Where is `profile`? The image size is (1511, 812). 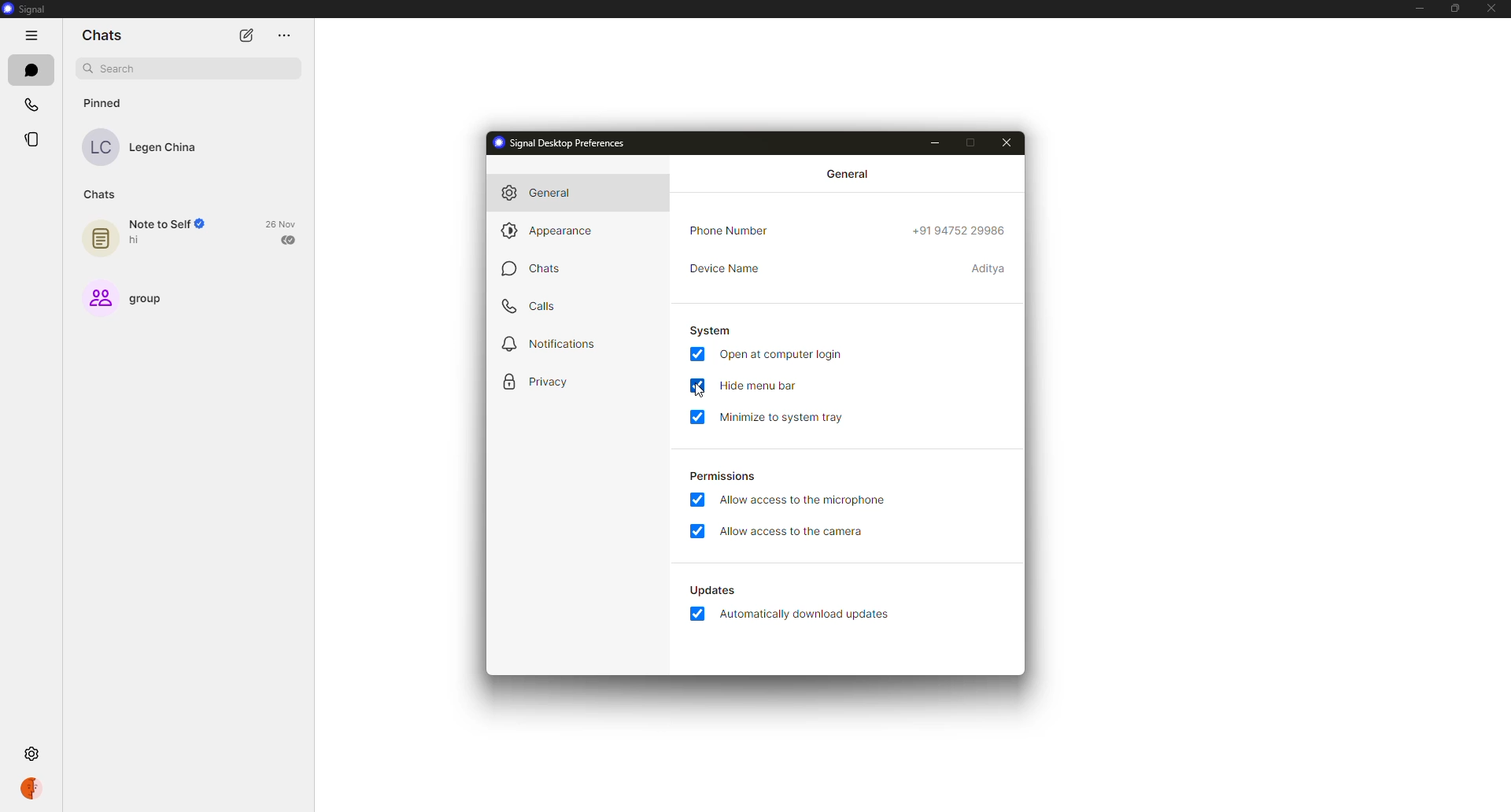
profile is located at coordinates (36, 789).